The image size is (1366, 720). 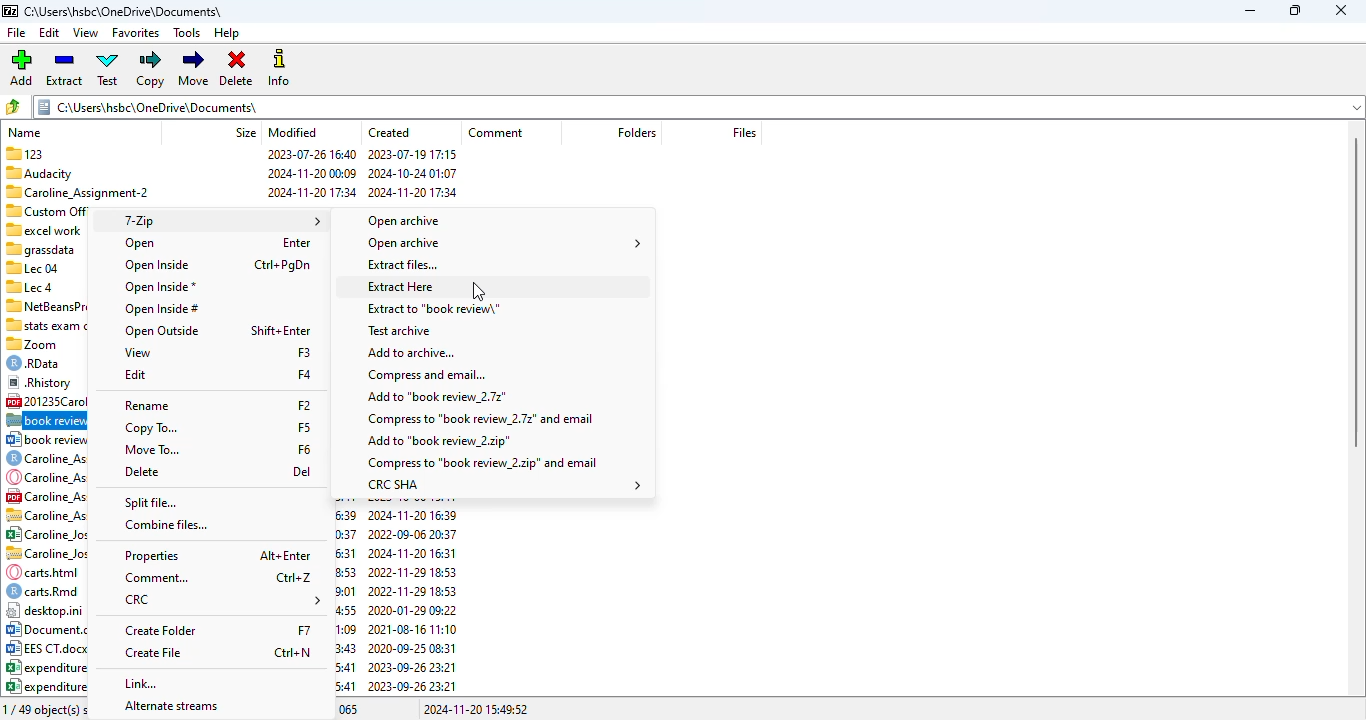 What do you see at coordinates (302, 471) in the screenshot?
I see `shortcut for delete` at bounding box center [302, 471].